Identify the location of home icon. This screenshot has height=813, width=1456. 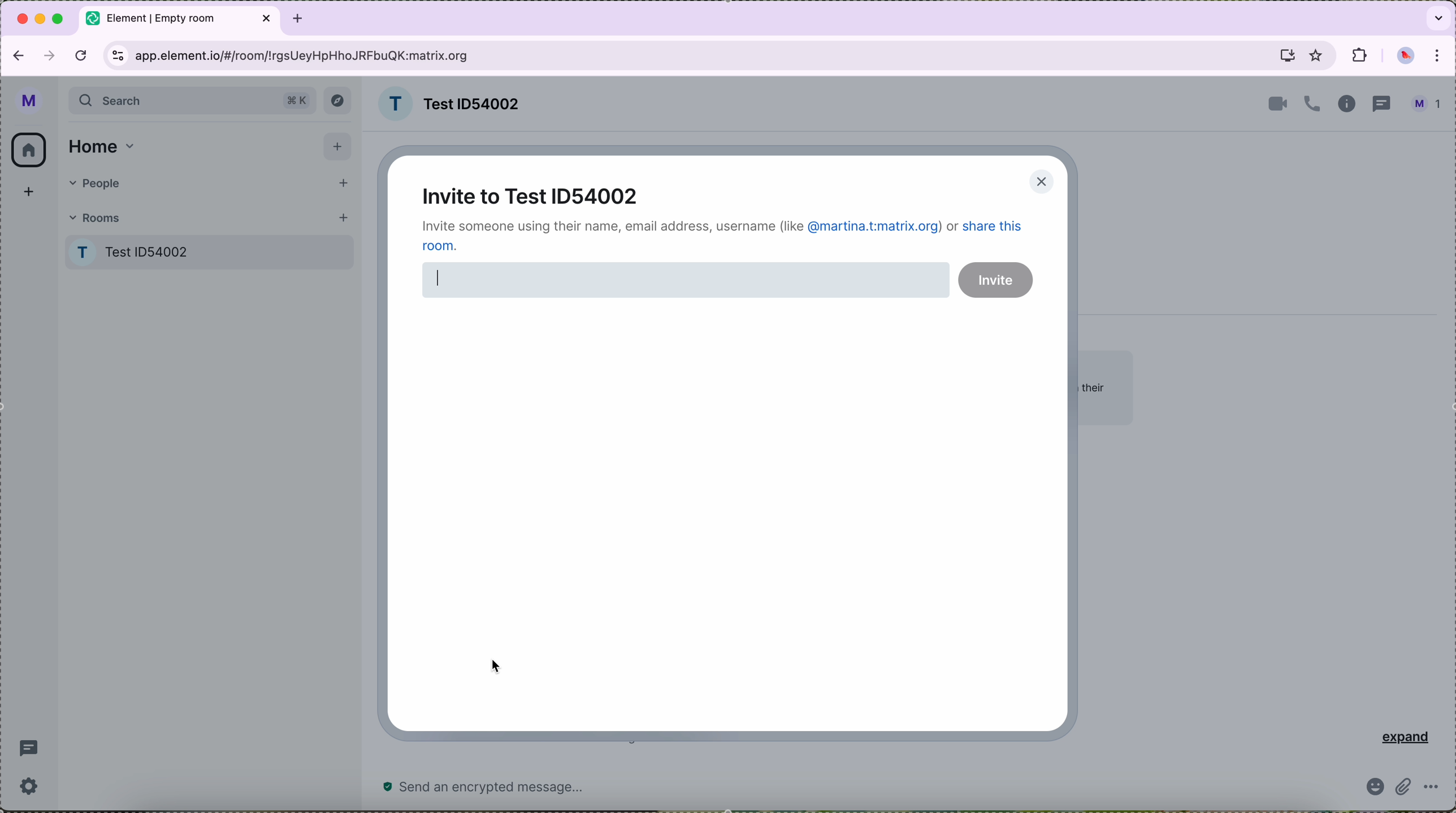
(31, 148).